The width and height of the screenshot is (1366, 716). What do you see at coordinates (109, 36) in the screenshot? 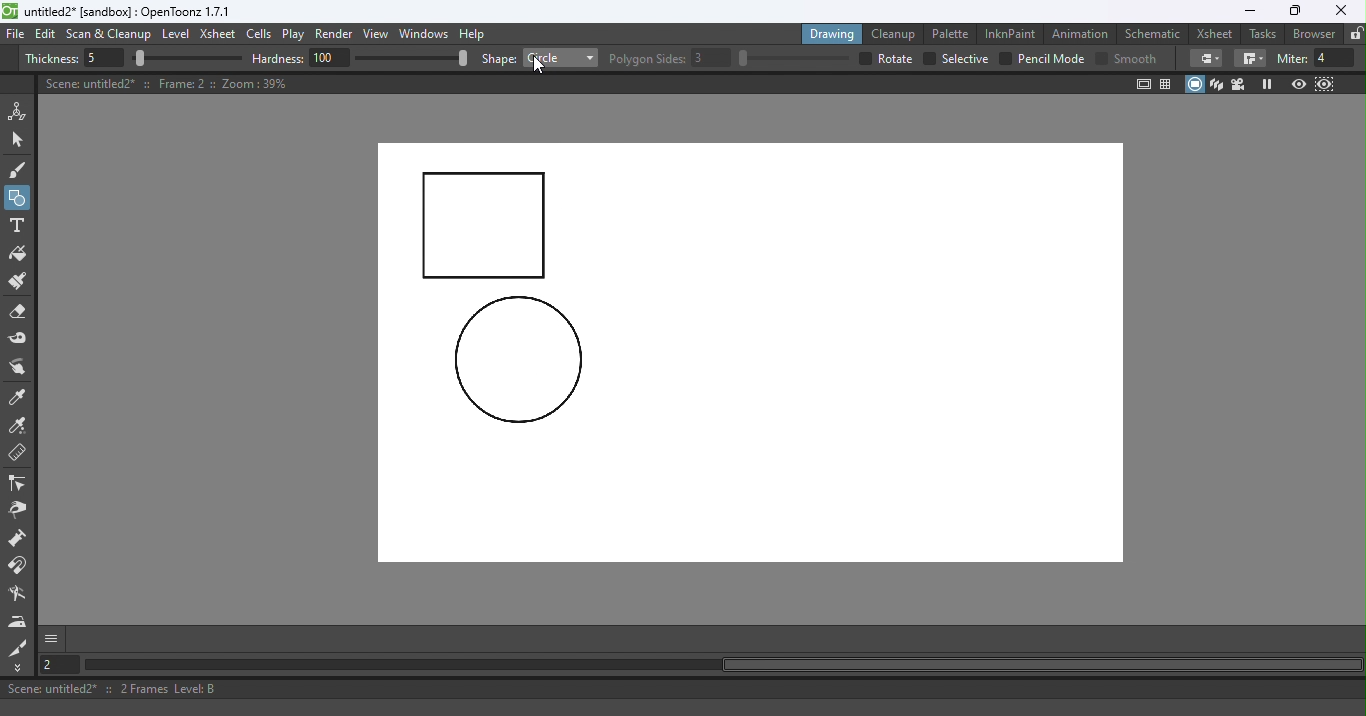
I see `Scan & Cleanup` at bounding box center [109, 36].